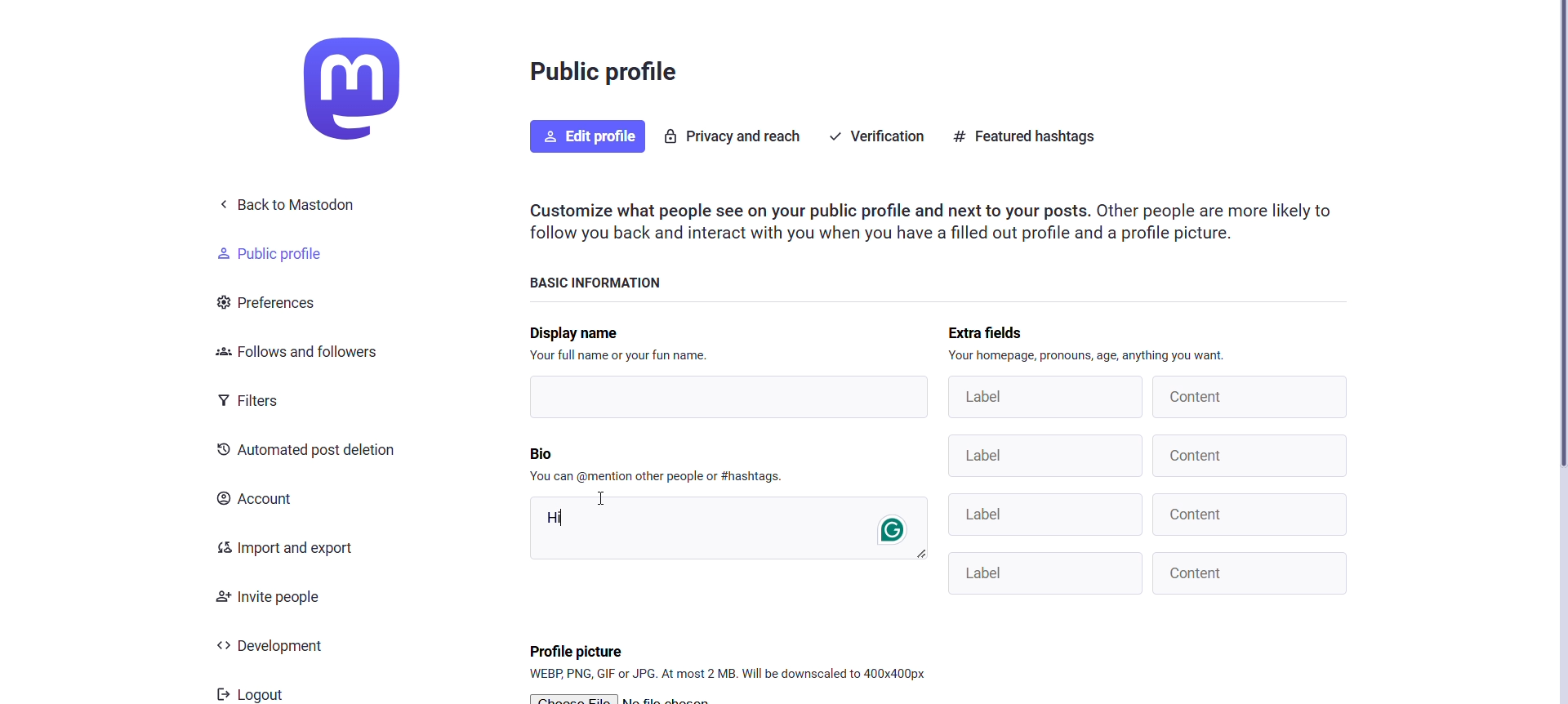  What do you see at coordinates (278, 302) in the screenshot?
I see `Preferences` at bounding box center [278, 302].